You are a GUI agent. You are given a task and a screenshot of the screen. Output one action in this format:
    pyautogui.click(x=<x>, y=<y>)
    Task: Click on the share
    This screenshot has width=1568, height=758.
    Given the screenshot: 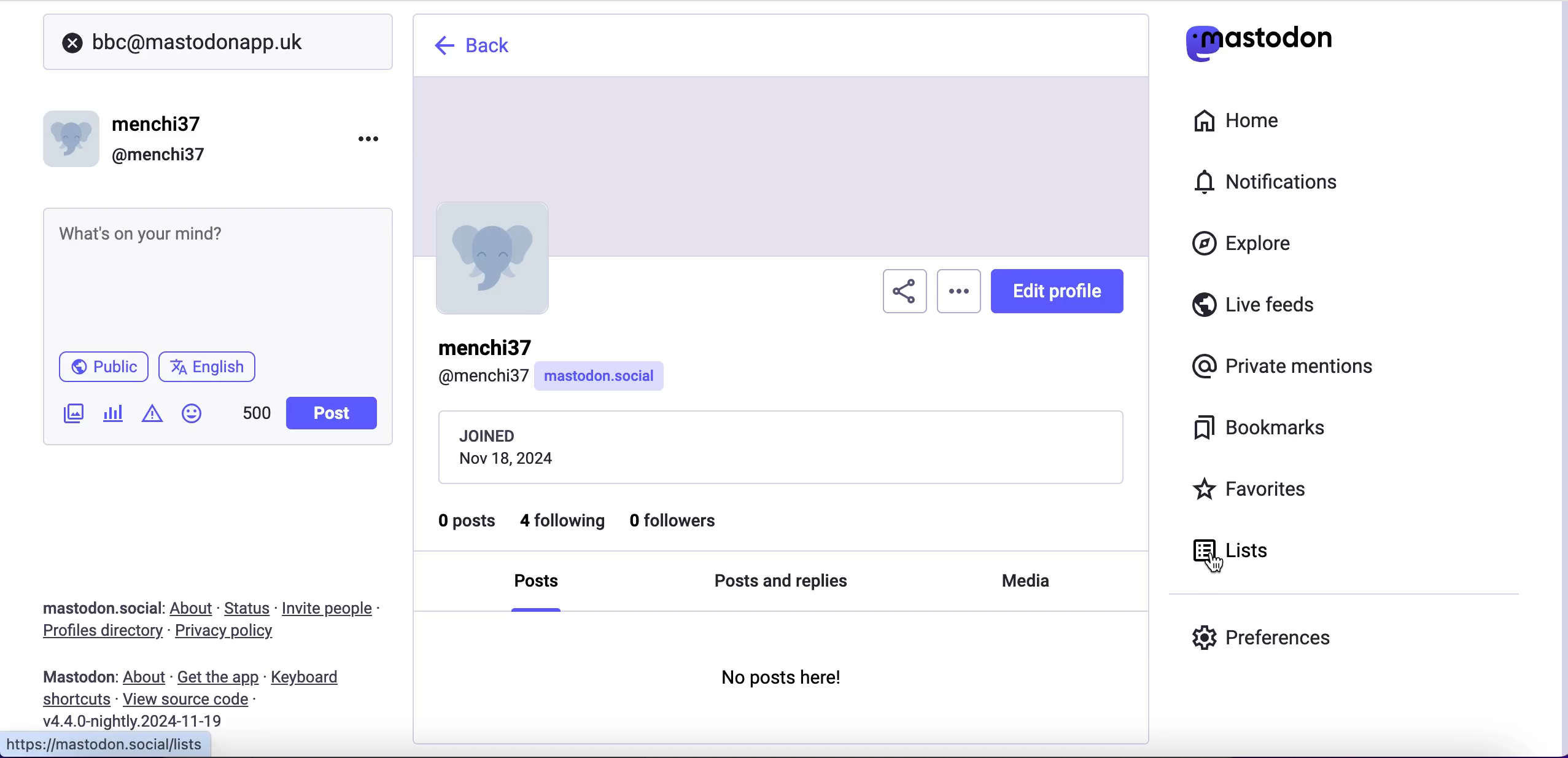 What is the action you would take?
    pyautogui.click(x=904, y=292)
    